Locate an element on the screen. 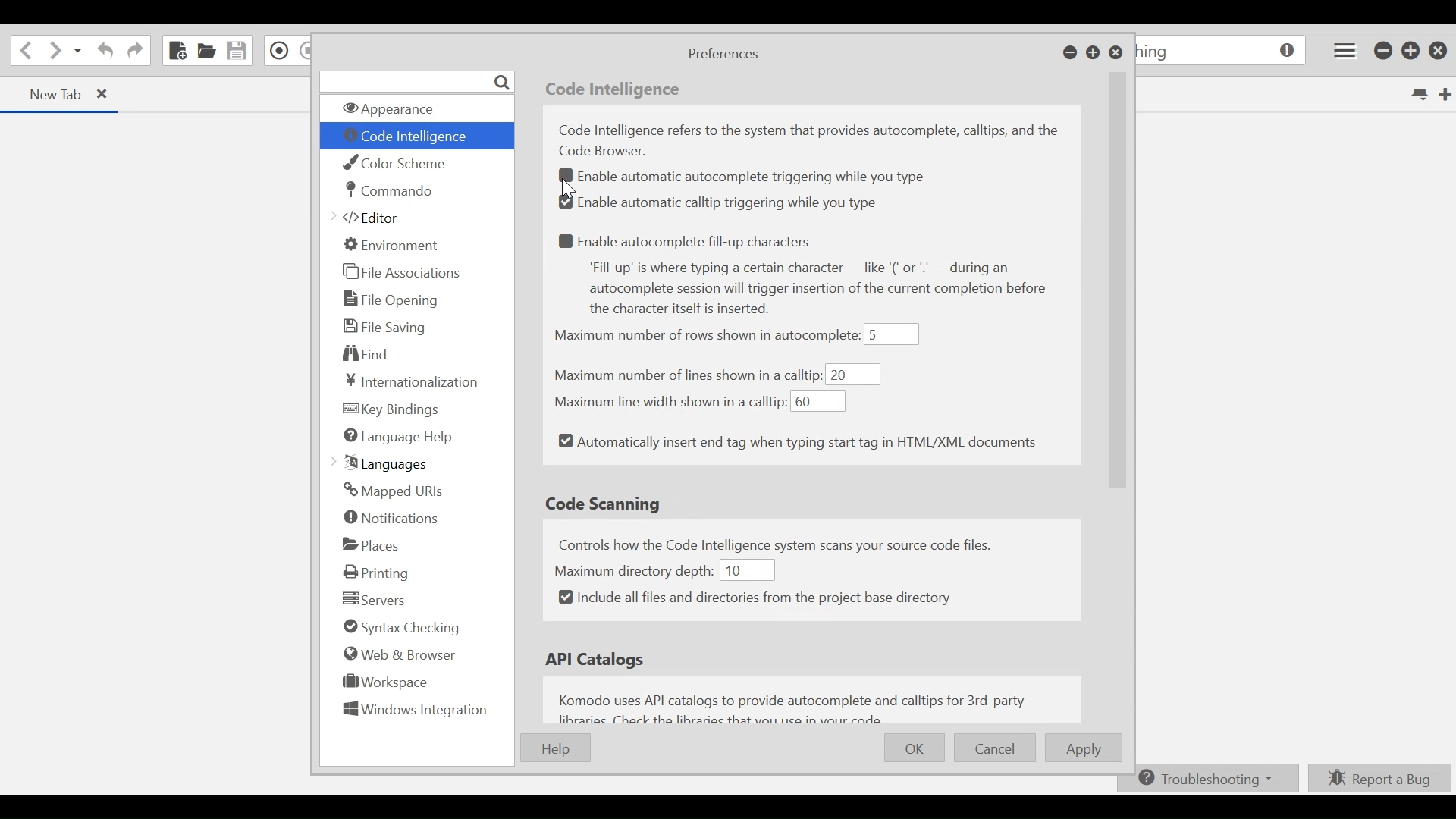 Image resolution: width=1456 pixels, height=819 pixels. API Catalogs is located at coordinates (599, 660).